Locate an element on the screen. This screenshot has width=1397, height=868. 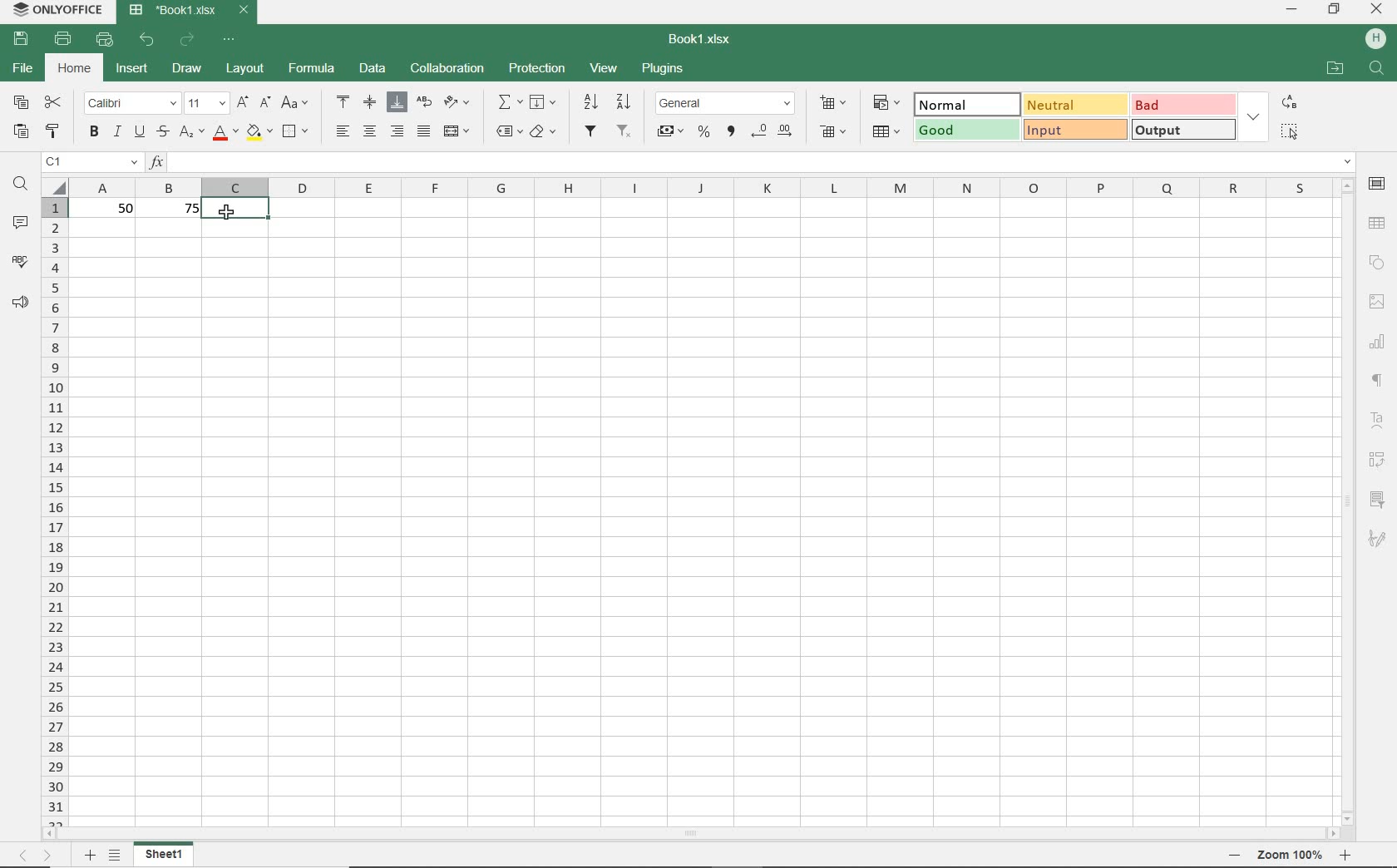
quick print is located at coordinates (106, 42).